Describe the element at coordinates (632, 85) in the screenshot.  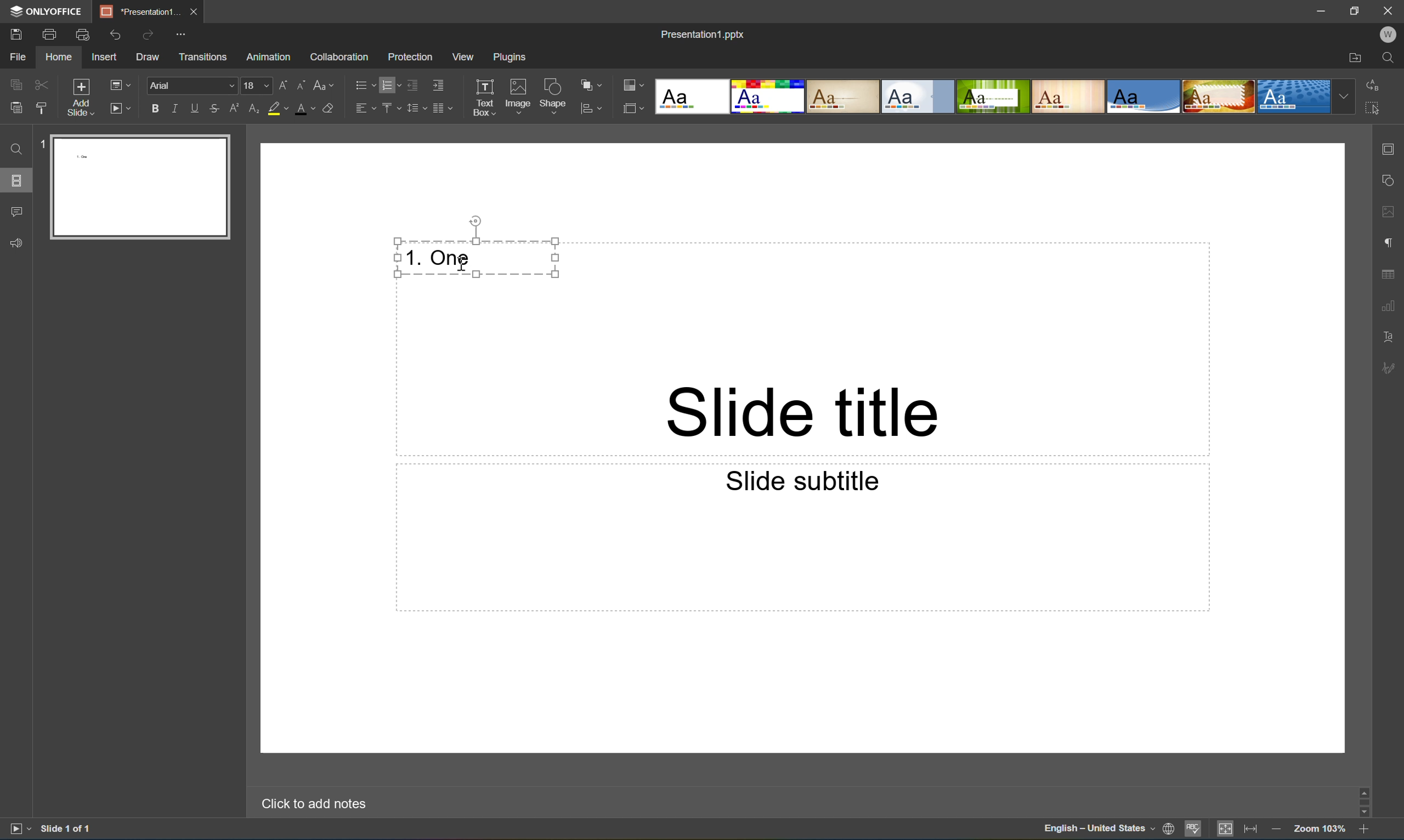
I see `Change color theme` at that location.